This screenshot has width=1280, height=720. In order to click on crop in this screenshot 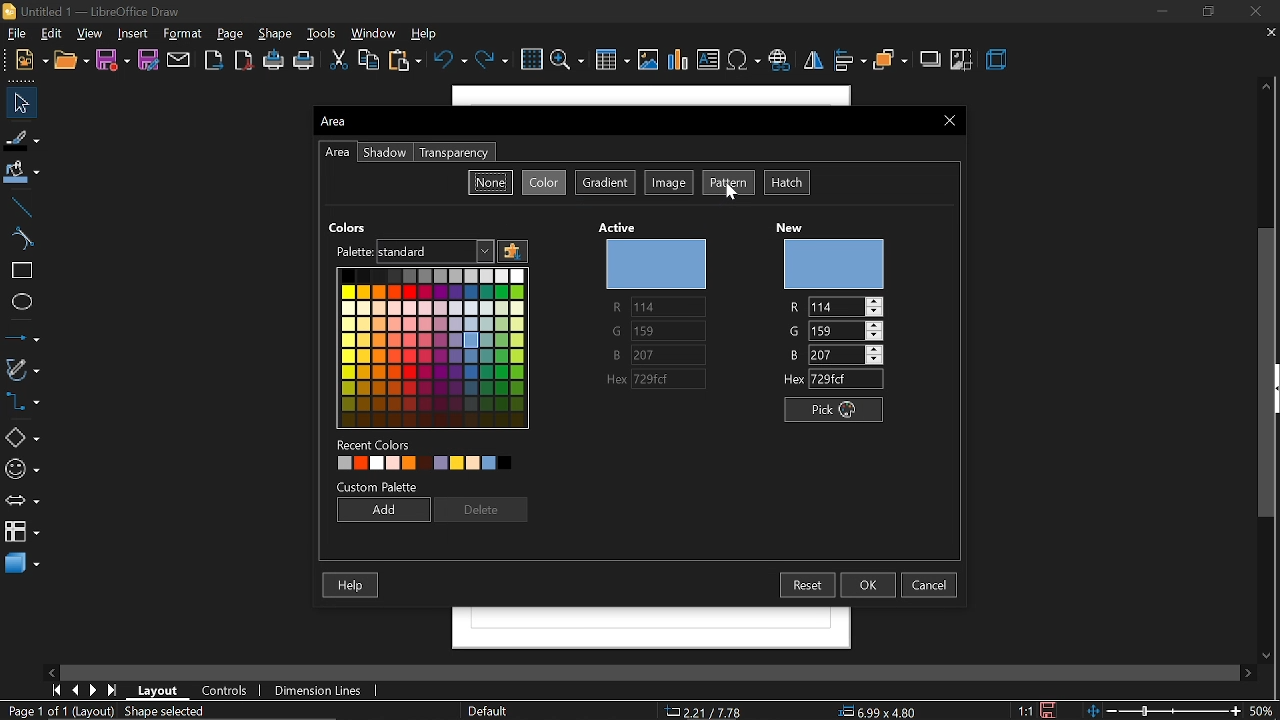, I will do `click(963, 61)`.